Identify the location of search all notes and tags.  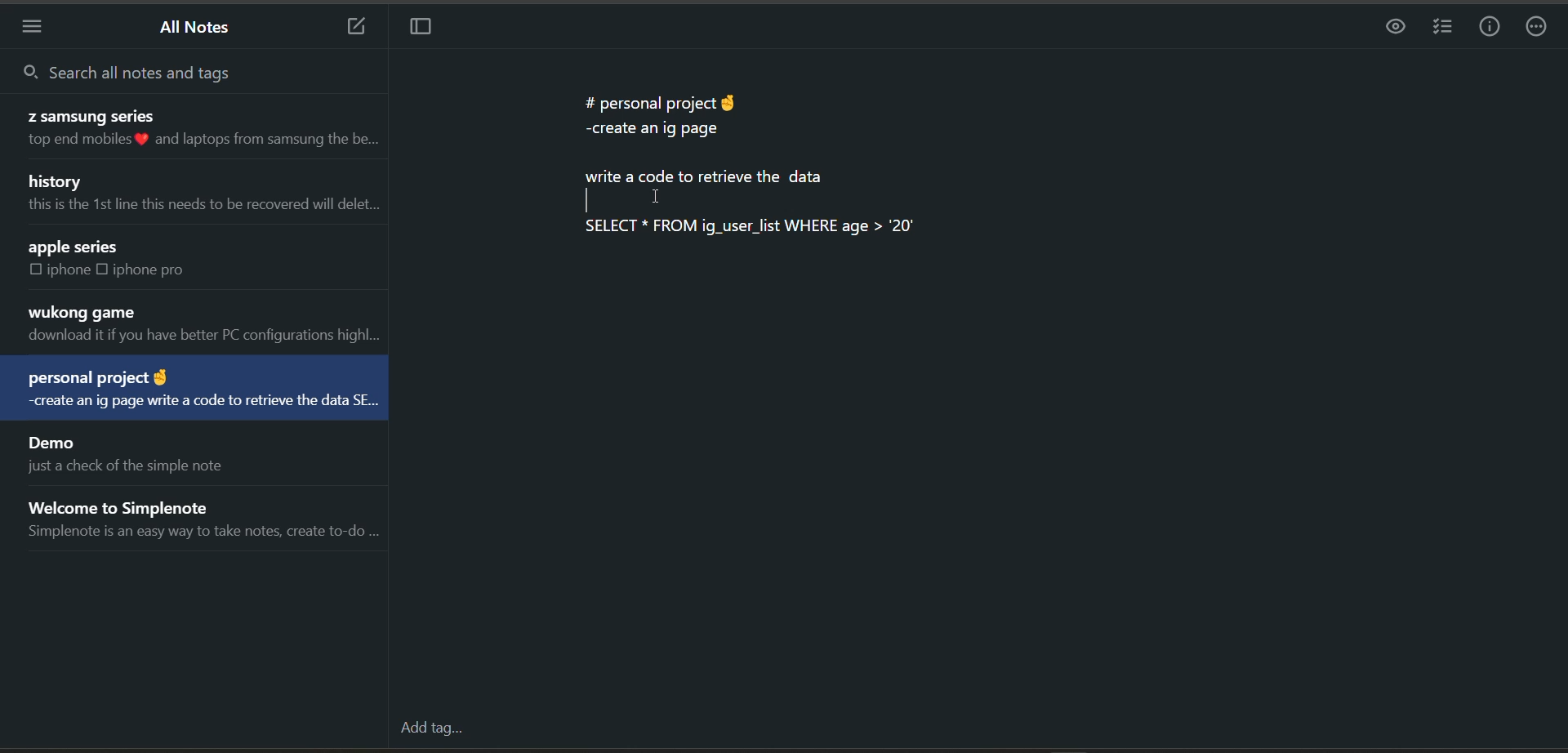
(171, 70).